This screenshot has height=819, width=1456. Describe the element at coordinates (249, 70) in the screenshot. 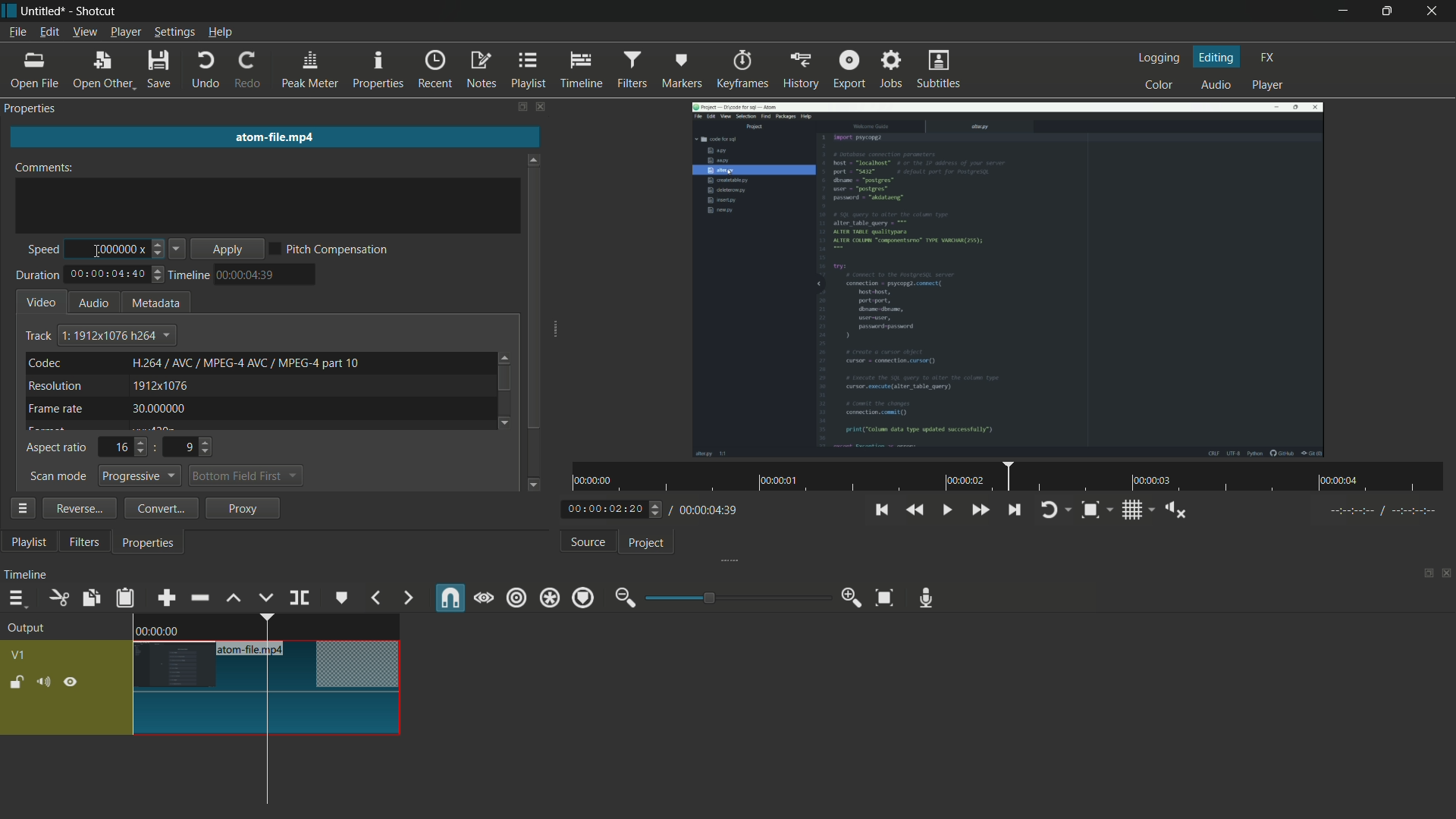

I see `redo` at that location.